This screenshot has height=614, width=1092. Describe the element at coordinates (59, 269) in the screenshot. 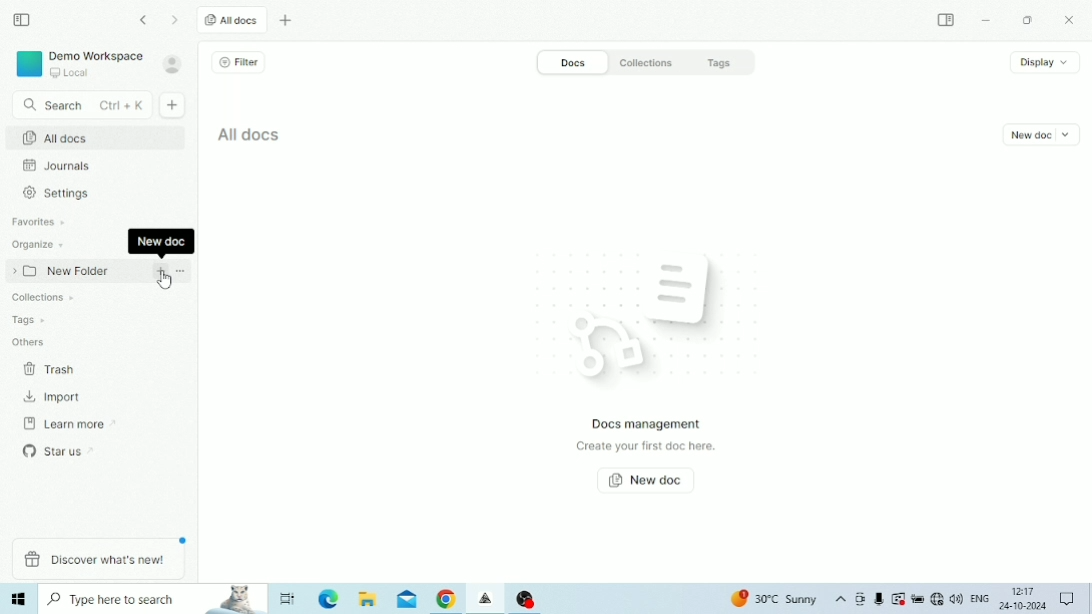

I see `New Folder` at that location.